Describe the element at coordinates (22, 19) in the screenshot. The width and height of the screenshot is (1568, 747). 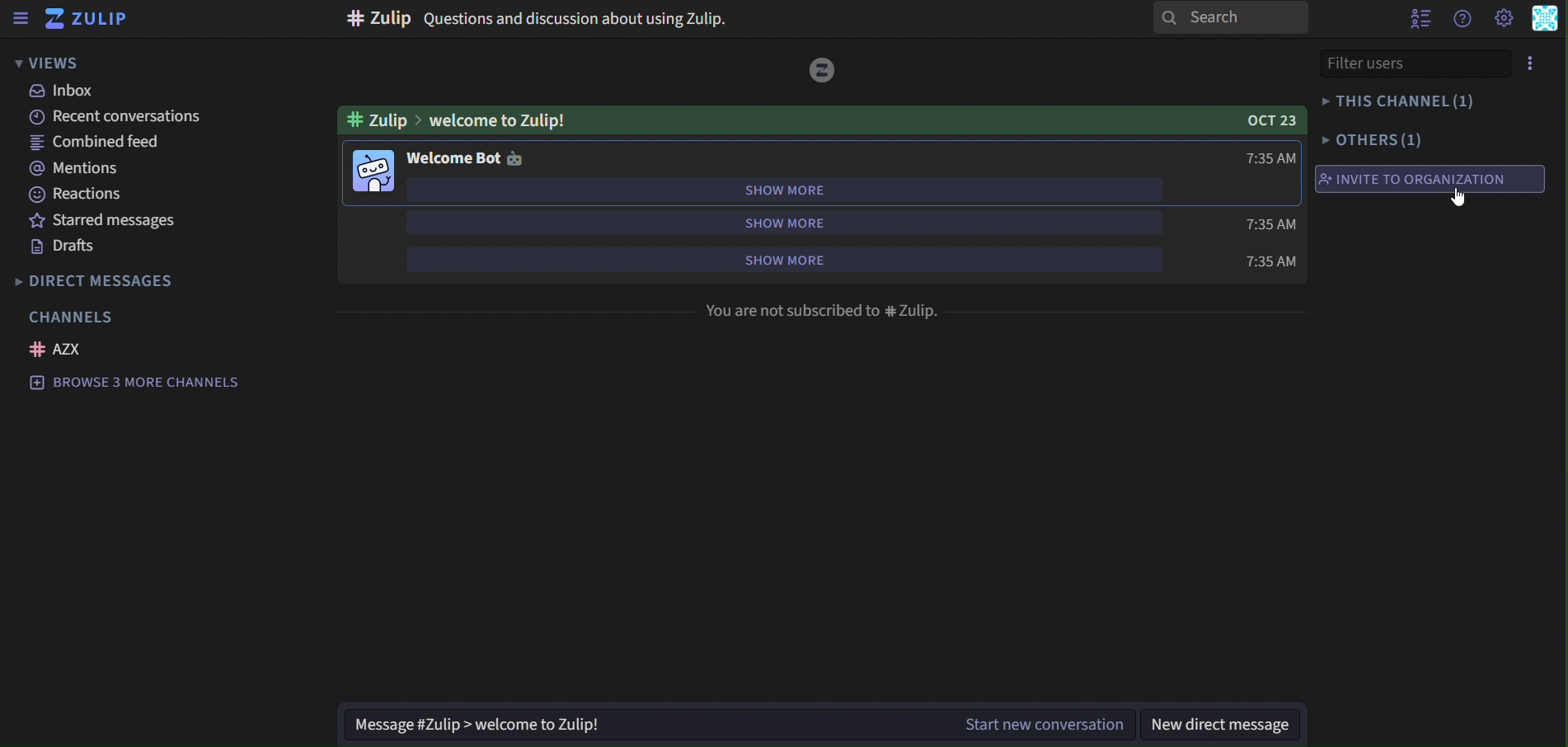
I see `sidebar` at that location.